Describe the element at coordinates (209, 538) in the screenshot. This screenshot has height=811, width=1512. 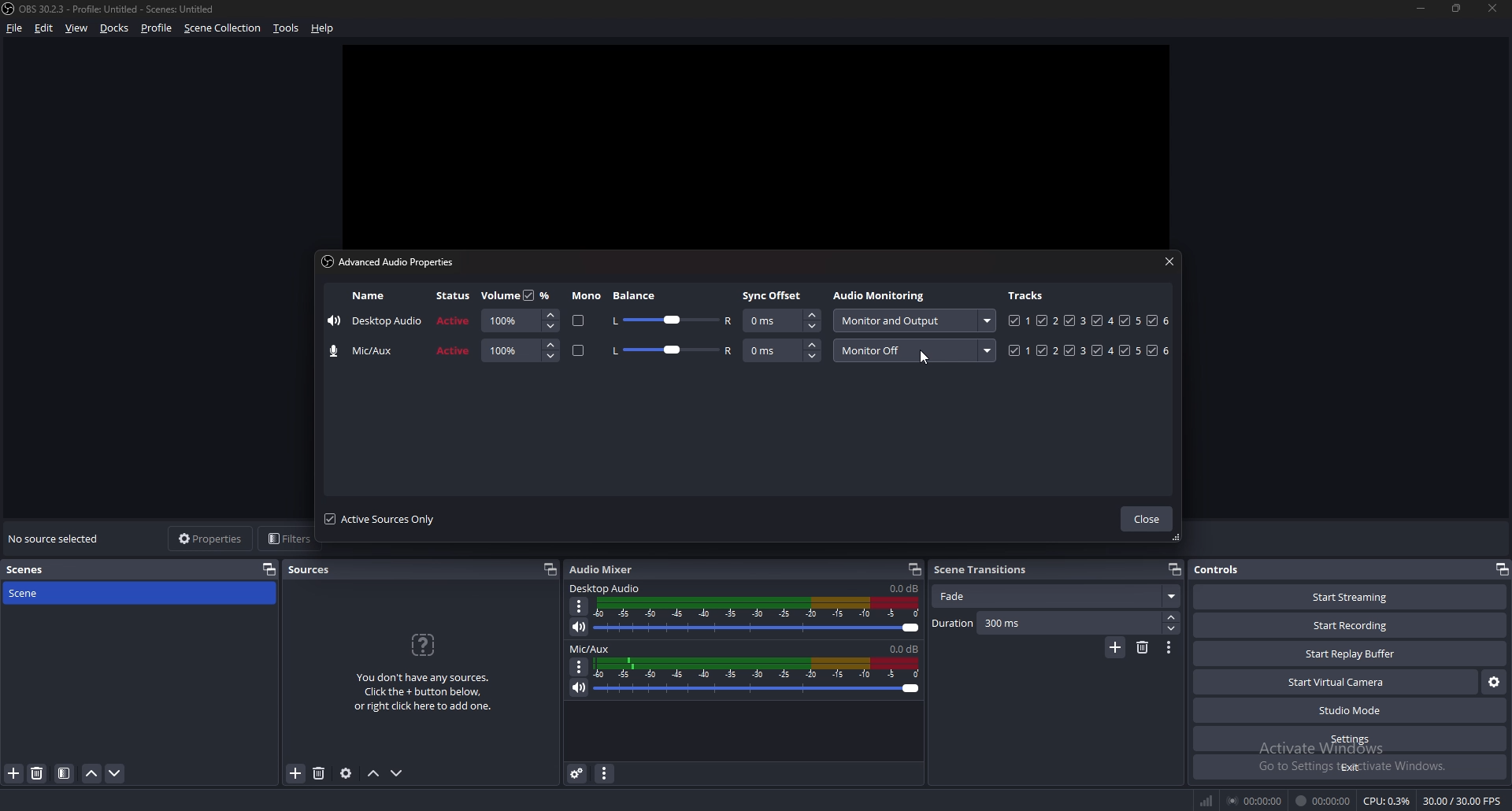
I see `properties` at that location.